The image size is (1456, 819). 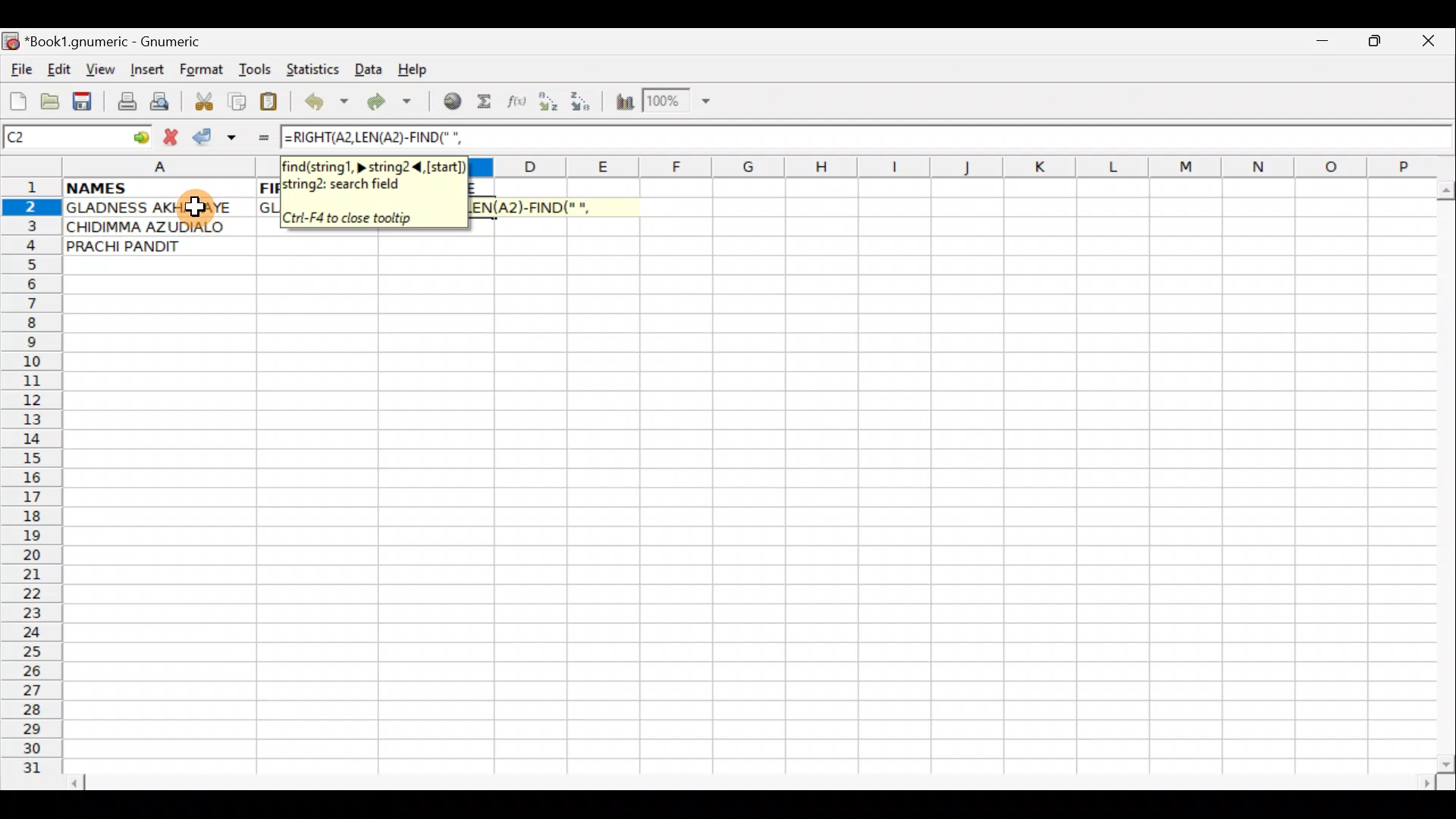 What do you see at coordinates (968, 137) in the screenshot?
I see `Formula bar` at bounding box center [968, 137].